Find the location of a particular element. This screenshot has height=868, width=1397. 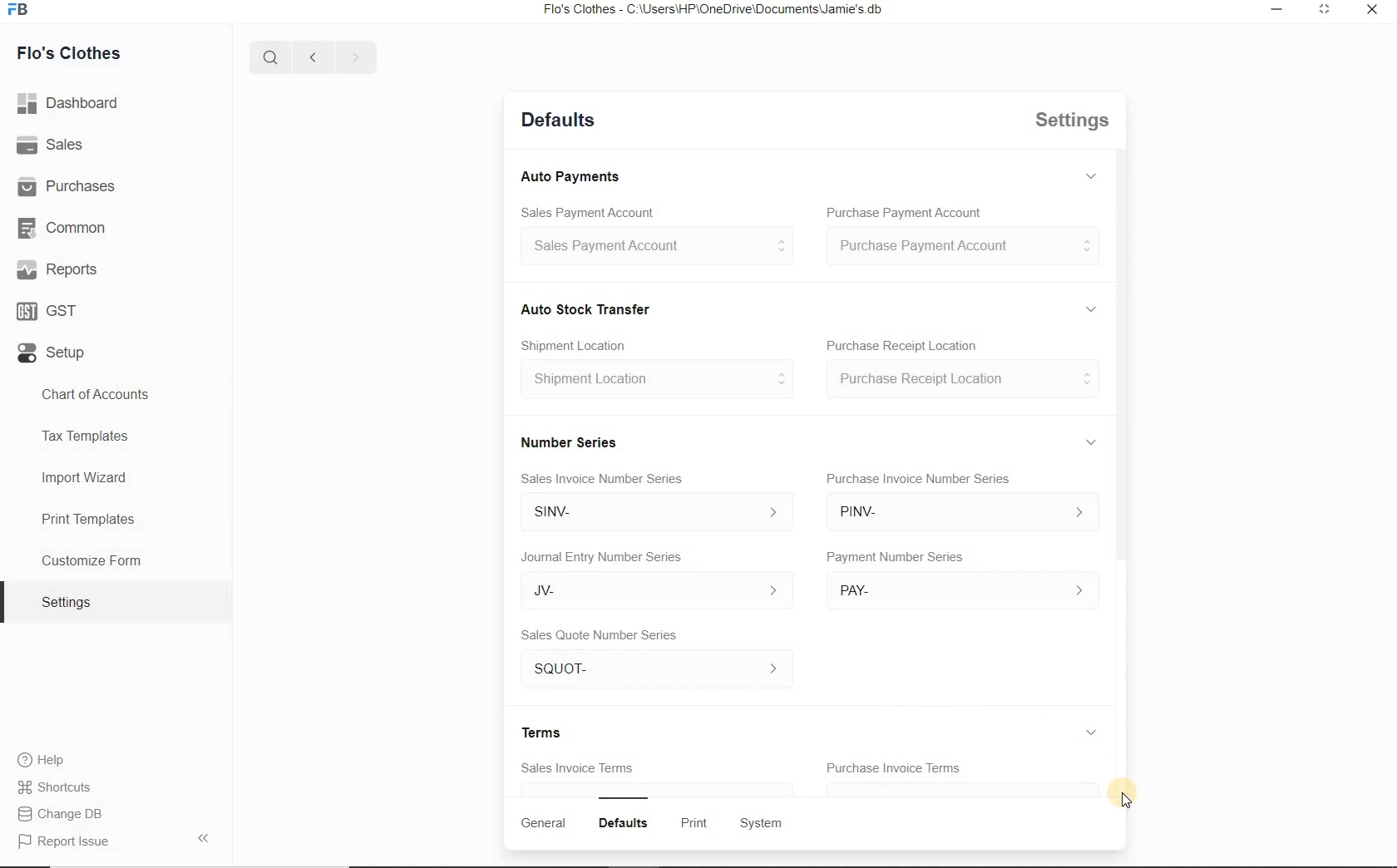

Minimize is located at coordinates (1277, 9).